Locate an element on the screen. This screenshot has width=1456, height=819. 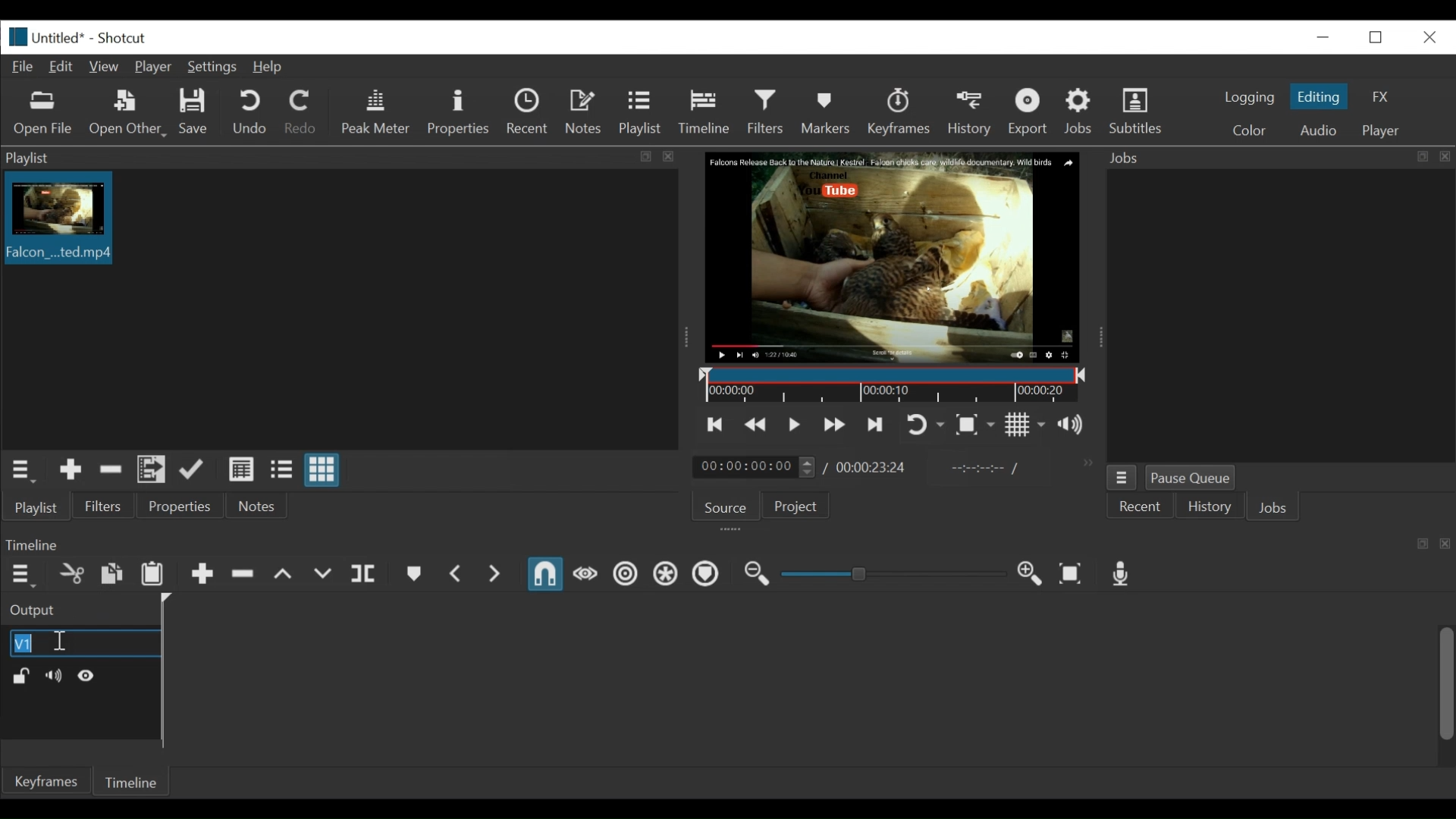
Settings is located at coordinates (212, 66).